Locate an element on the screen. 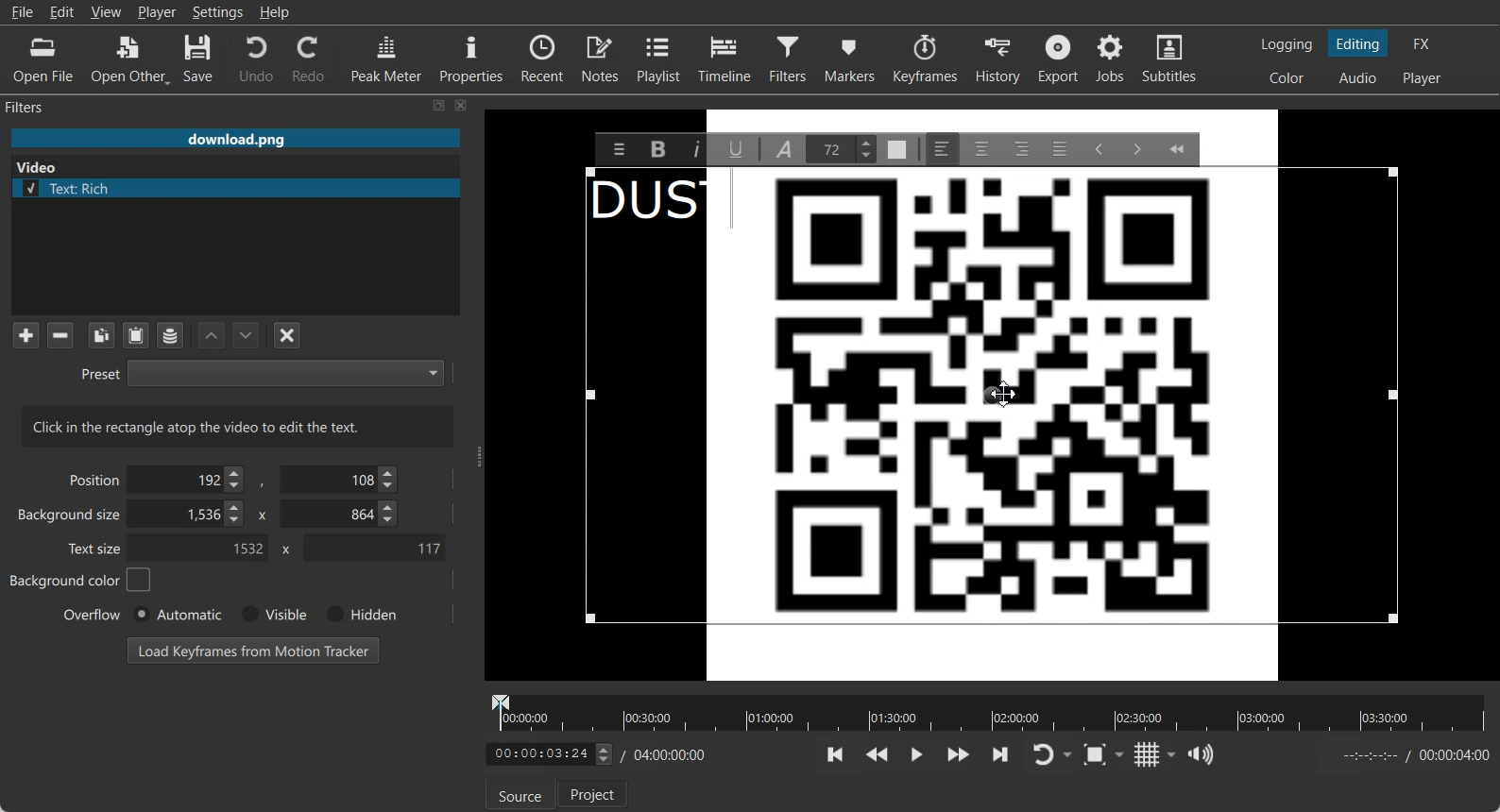 This screenshot has height=812, width=1500. Drop down box is located at coordinates (1123, 753).